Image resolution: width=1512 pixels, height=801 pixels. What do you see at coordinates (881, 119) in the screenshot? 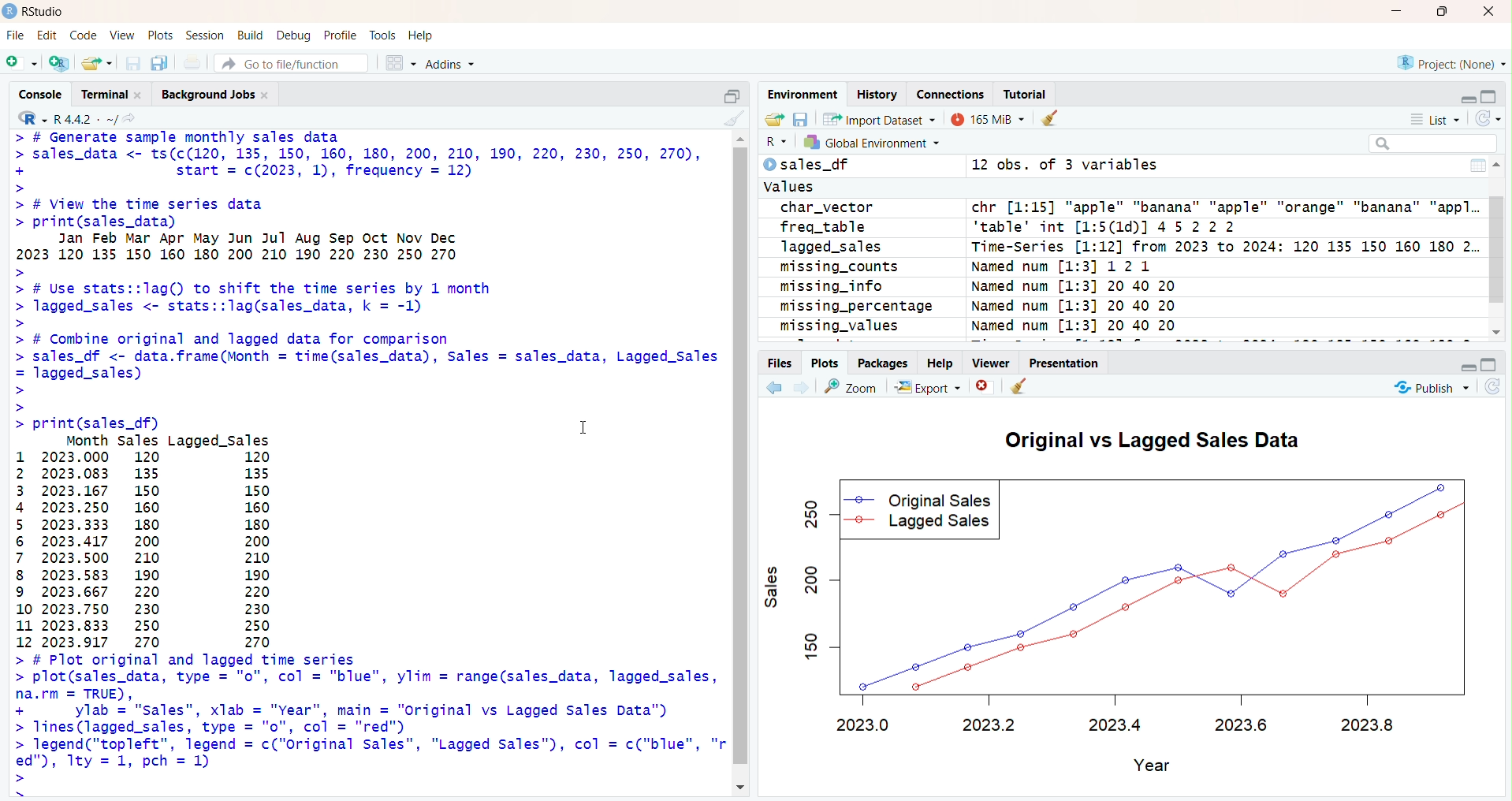
I see `import dataset` at bounding box center [881, 119].